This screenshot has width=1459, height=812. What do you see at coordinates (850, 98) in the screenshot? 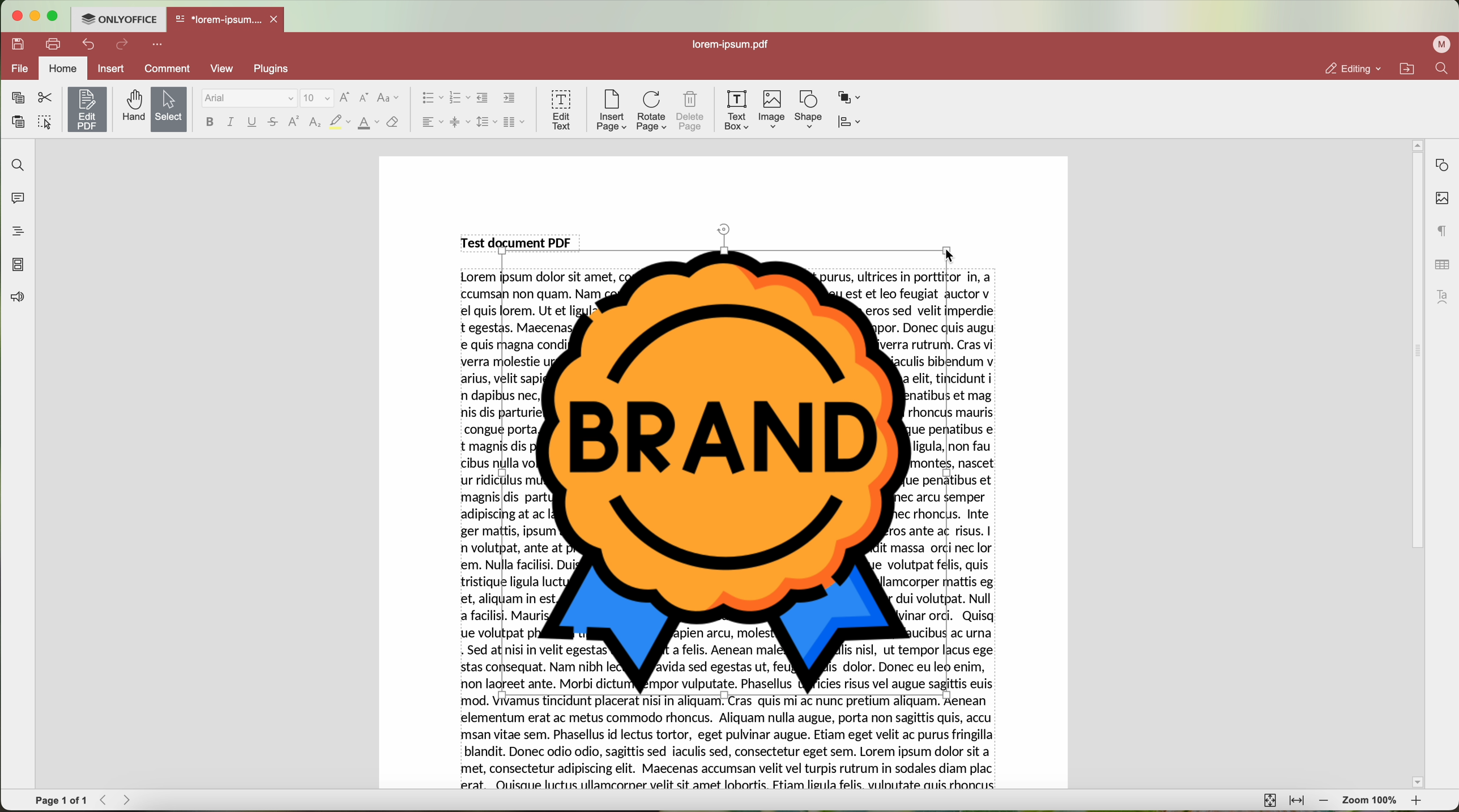
I see `arrange shape` at bounding box center [850, 98].